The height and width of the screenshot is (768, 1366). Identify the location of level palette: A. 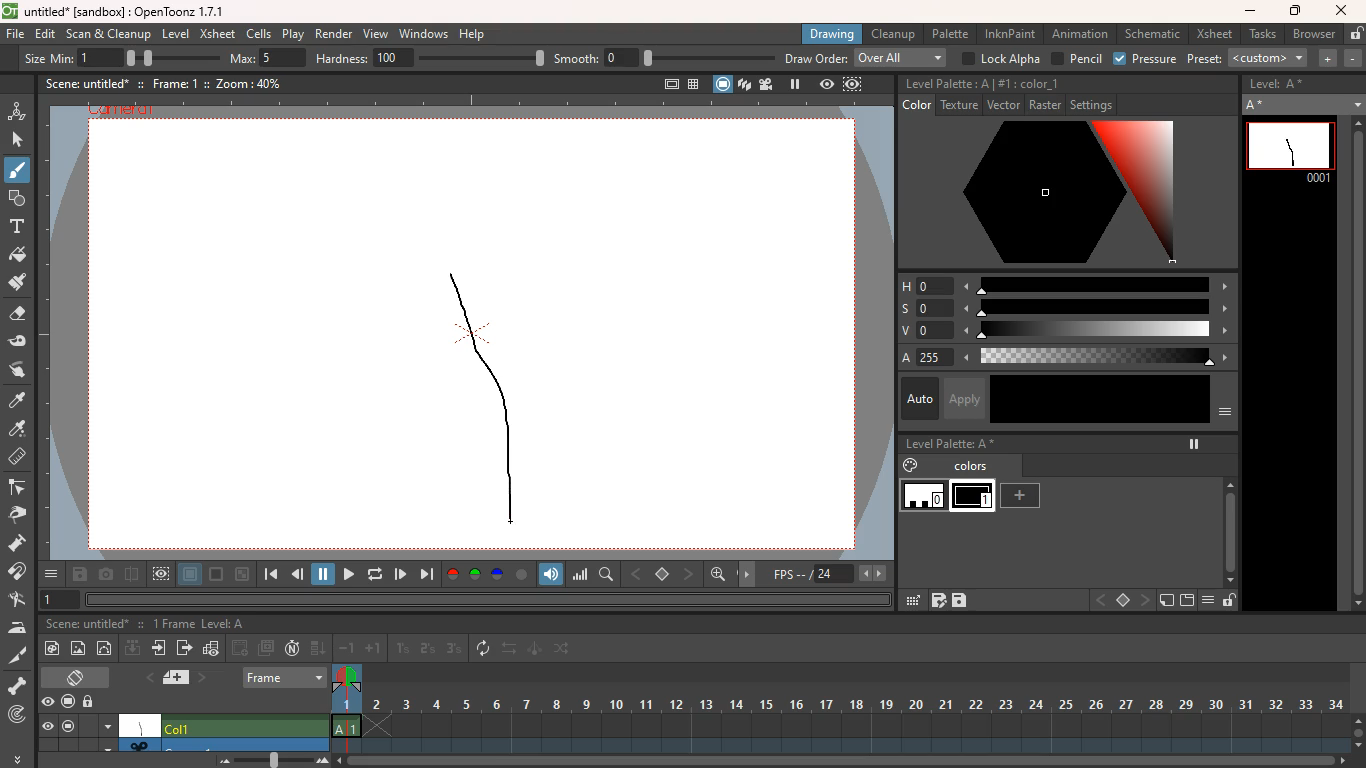
(947, 84).